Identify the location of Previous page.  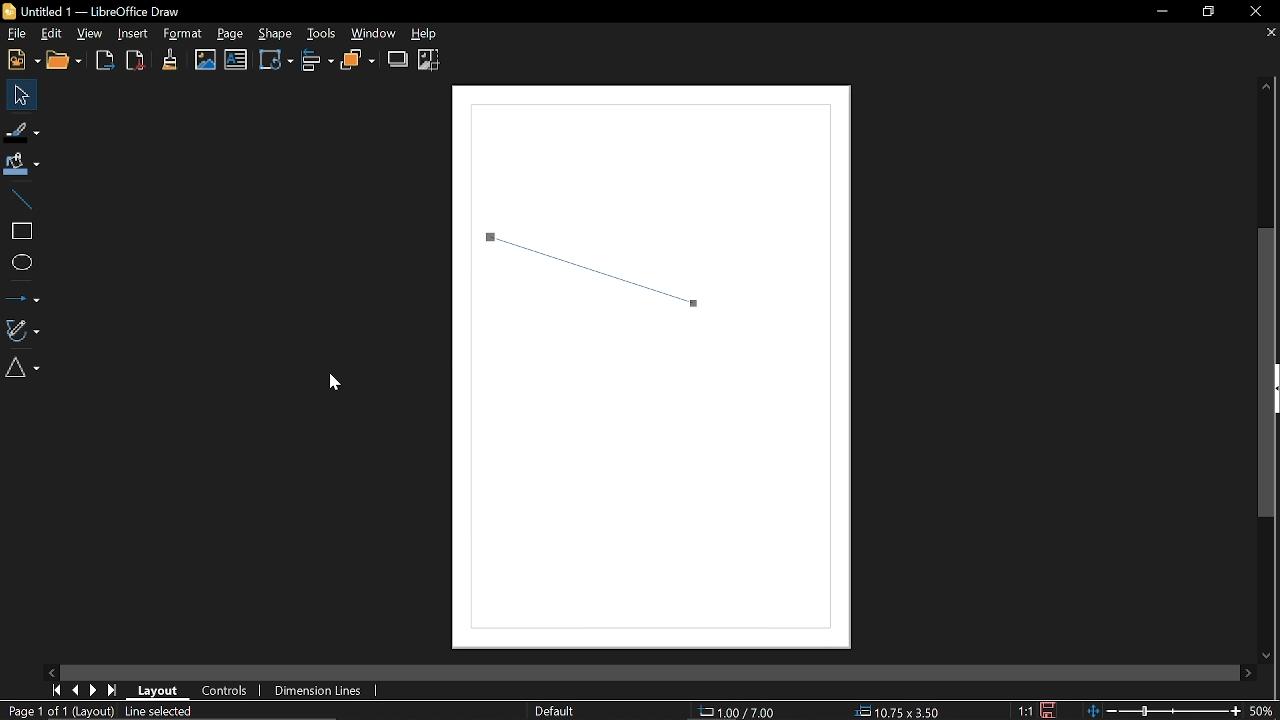
(77, 689).